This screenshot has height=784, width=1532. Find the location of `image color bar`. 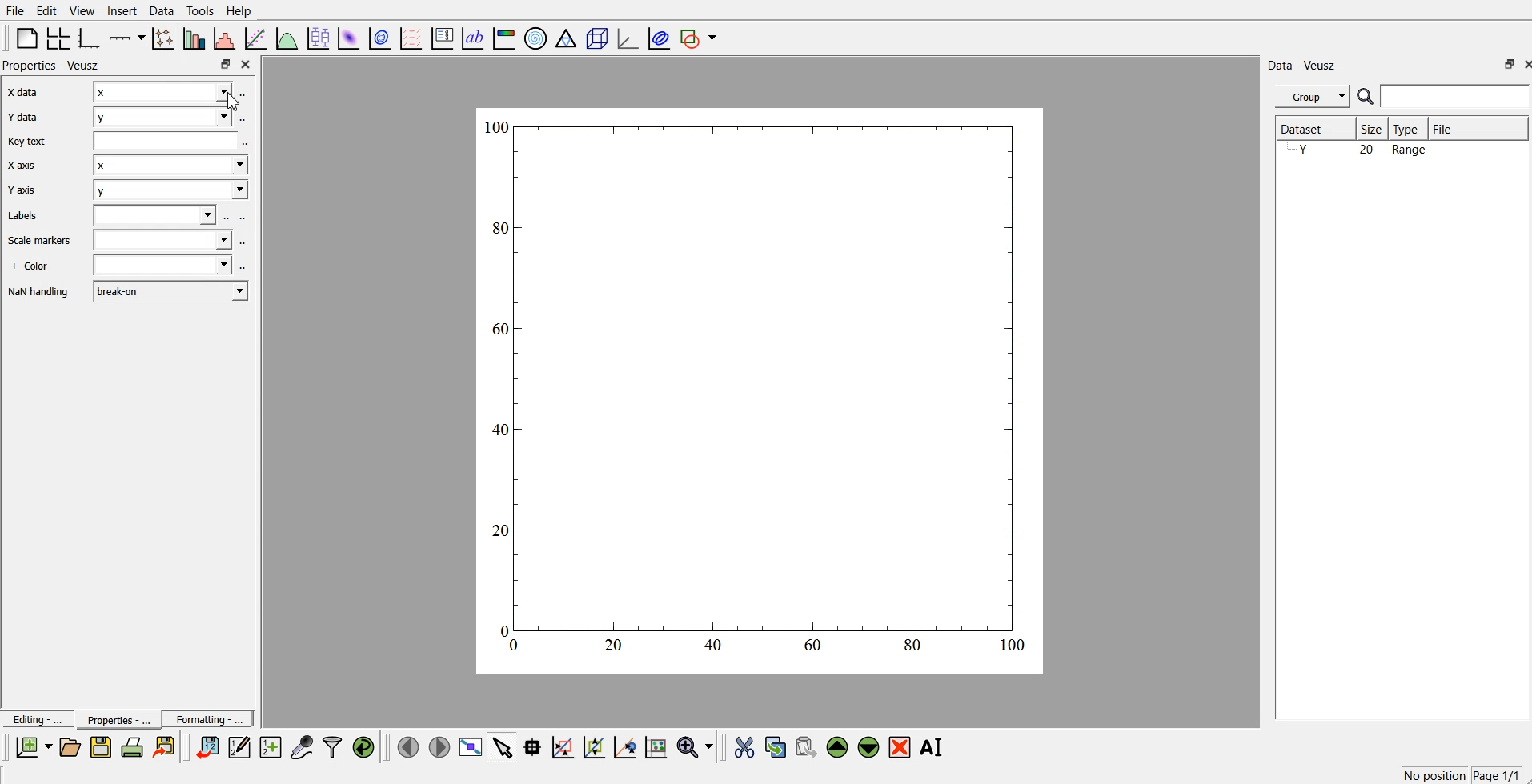

image color bar is located at coordinates (505, 37).